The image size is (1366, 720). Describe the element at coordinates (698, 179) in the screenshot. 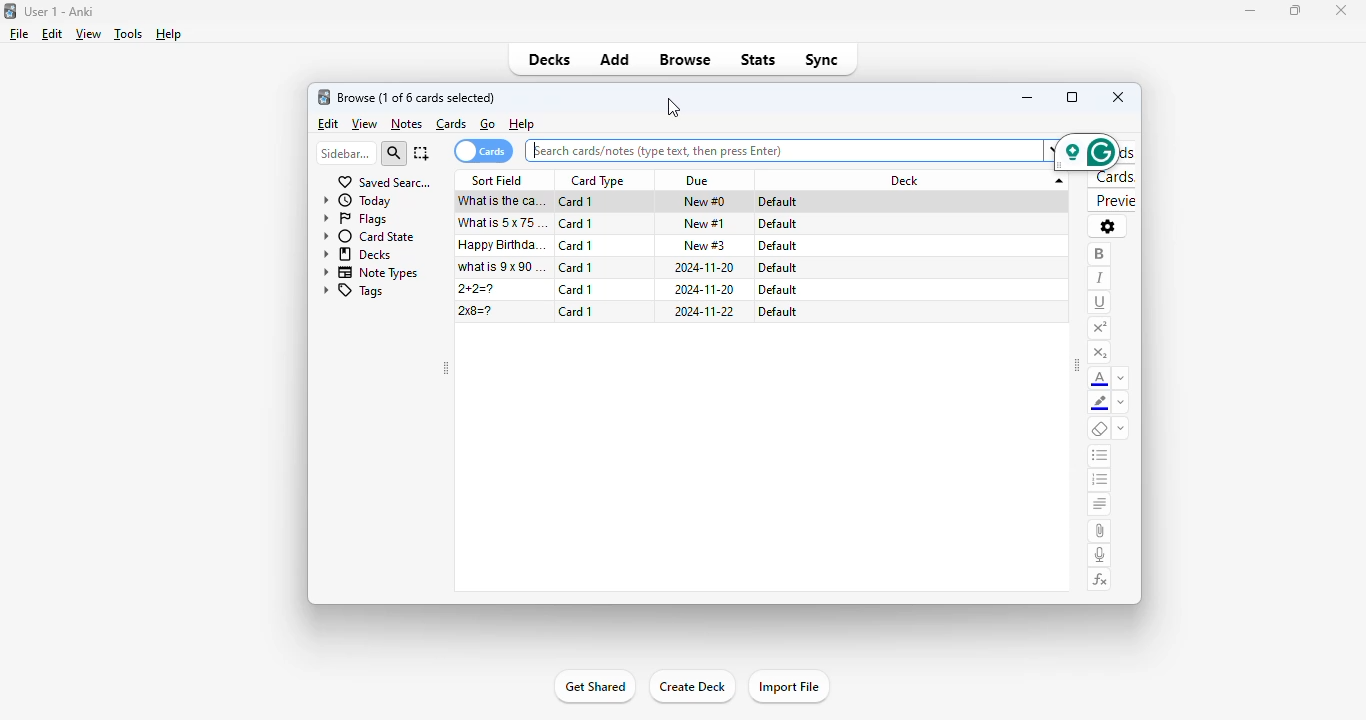

I see `due` at that location.